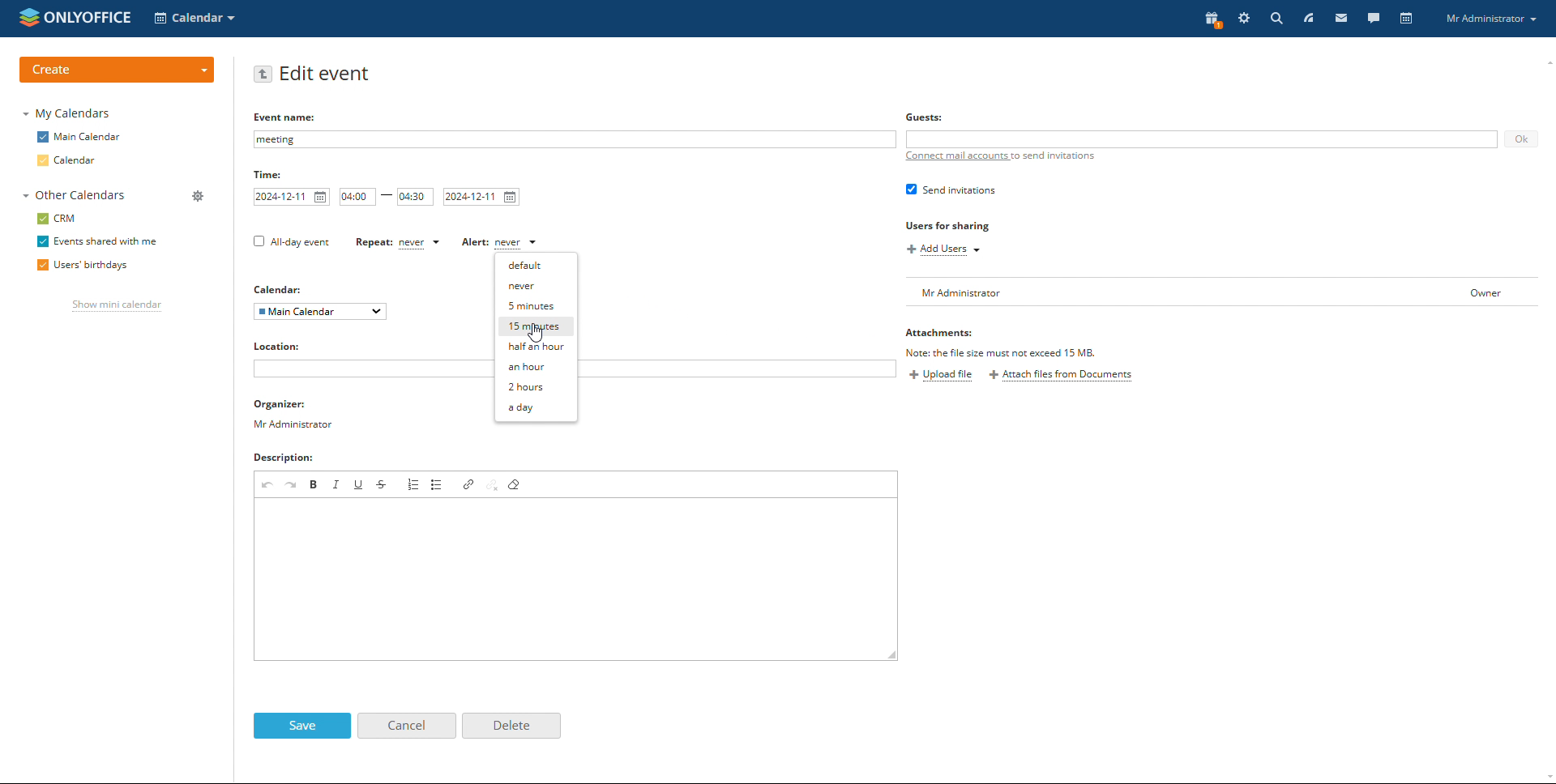 The width and height of the screenshot is (1556, 784). I want to click on all-day event, so click(292, 242).